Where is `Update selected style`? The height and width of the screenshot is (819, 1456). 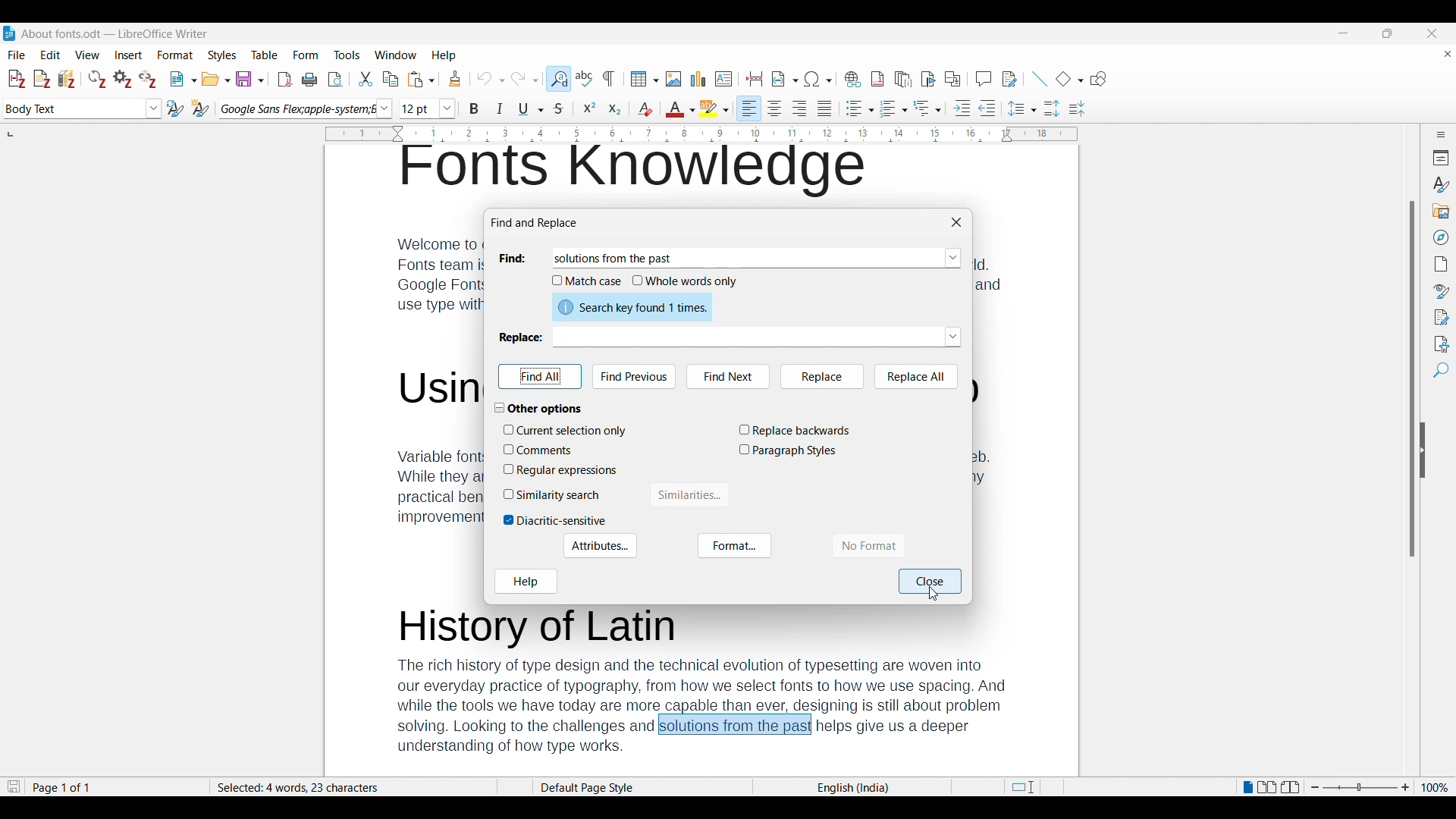 Update selected style is located at coordinates (176, 108).